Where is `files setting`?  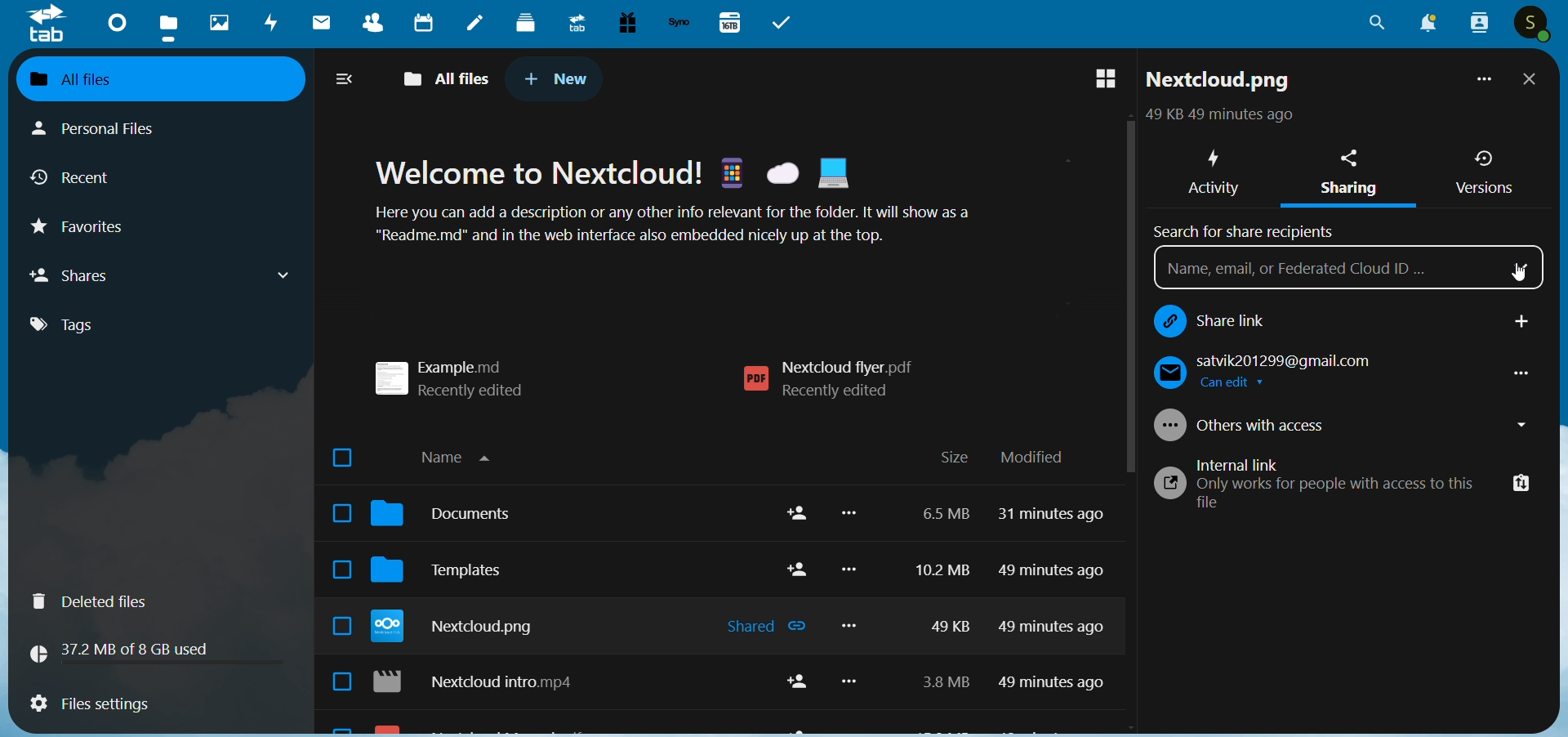
files setting is located at coordinates (89, 706).